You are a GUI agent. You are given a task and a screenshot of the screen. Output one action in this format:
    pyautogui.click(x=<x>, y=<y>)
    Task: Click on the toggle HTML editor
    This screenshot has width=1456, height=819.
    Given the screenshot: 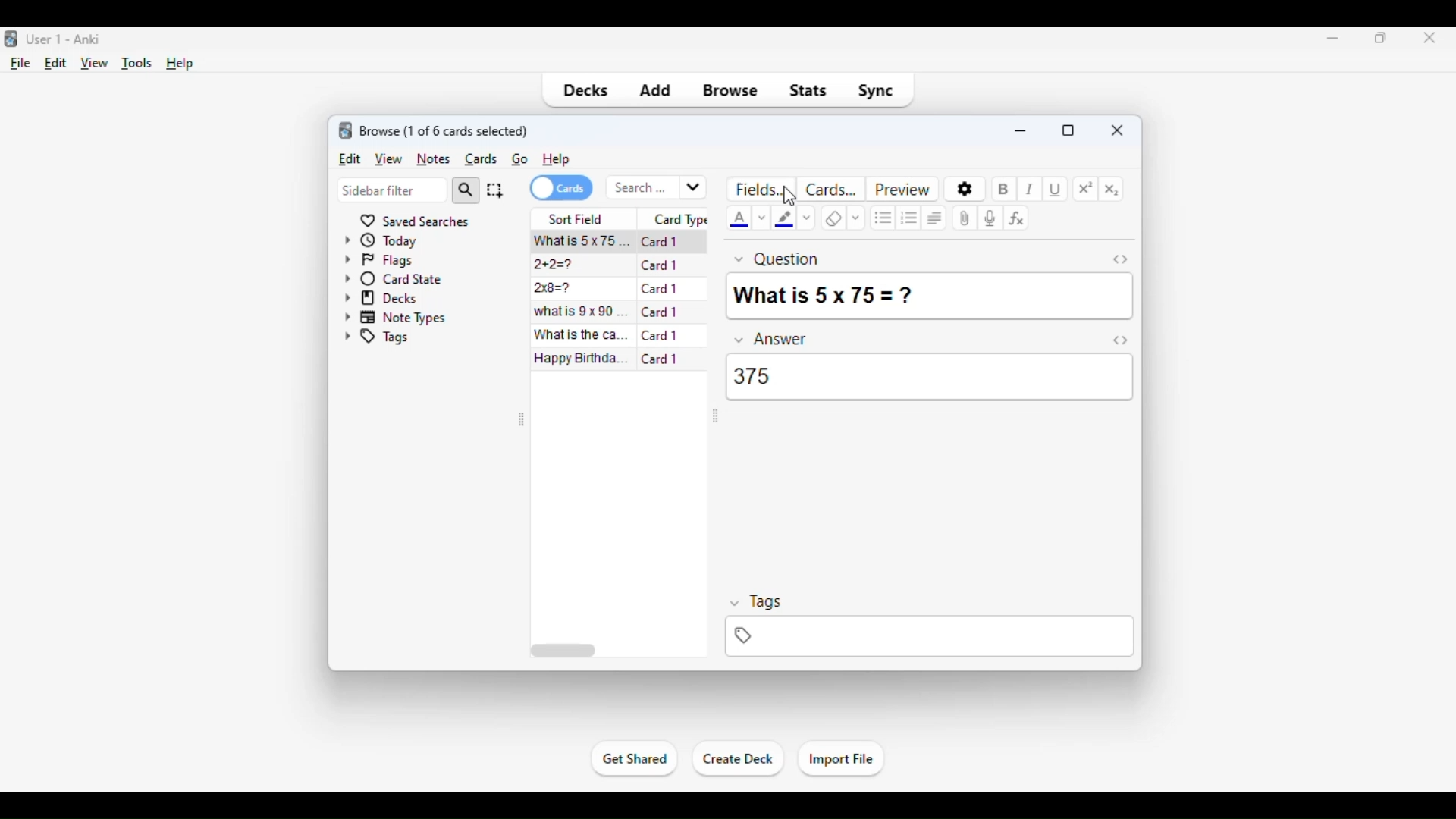 What is the action you would take?
    pyautogui.click(x=1121, y=340)
    